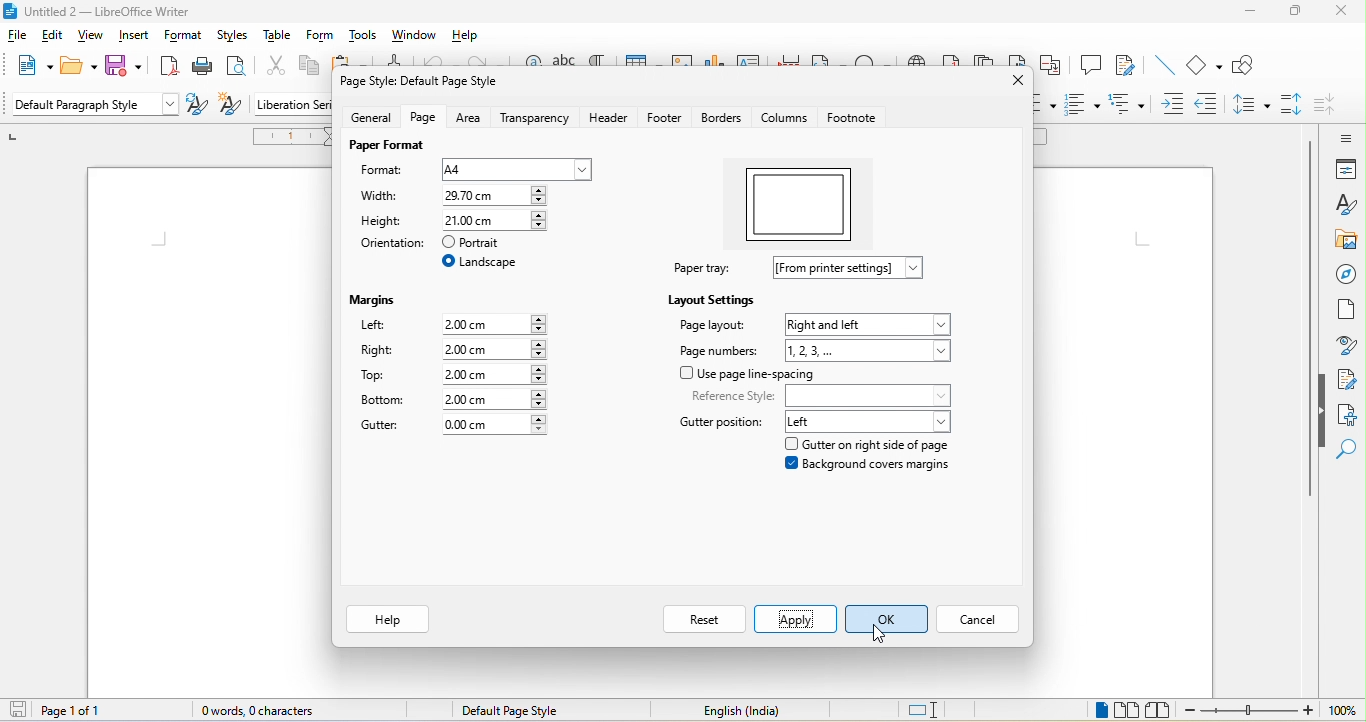  What do you see at coordinates (386, 198) in the screenshot?
I see `width` at bounding box center [386, 198].